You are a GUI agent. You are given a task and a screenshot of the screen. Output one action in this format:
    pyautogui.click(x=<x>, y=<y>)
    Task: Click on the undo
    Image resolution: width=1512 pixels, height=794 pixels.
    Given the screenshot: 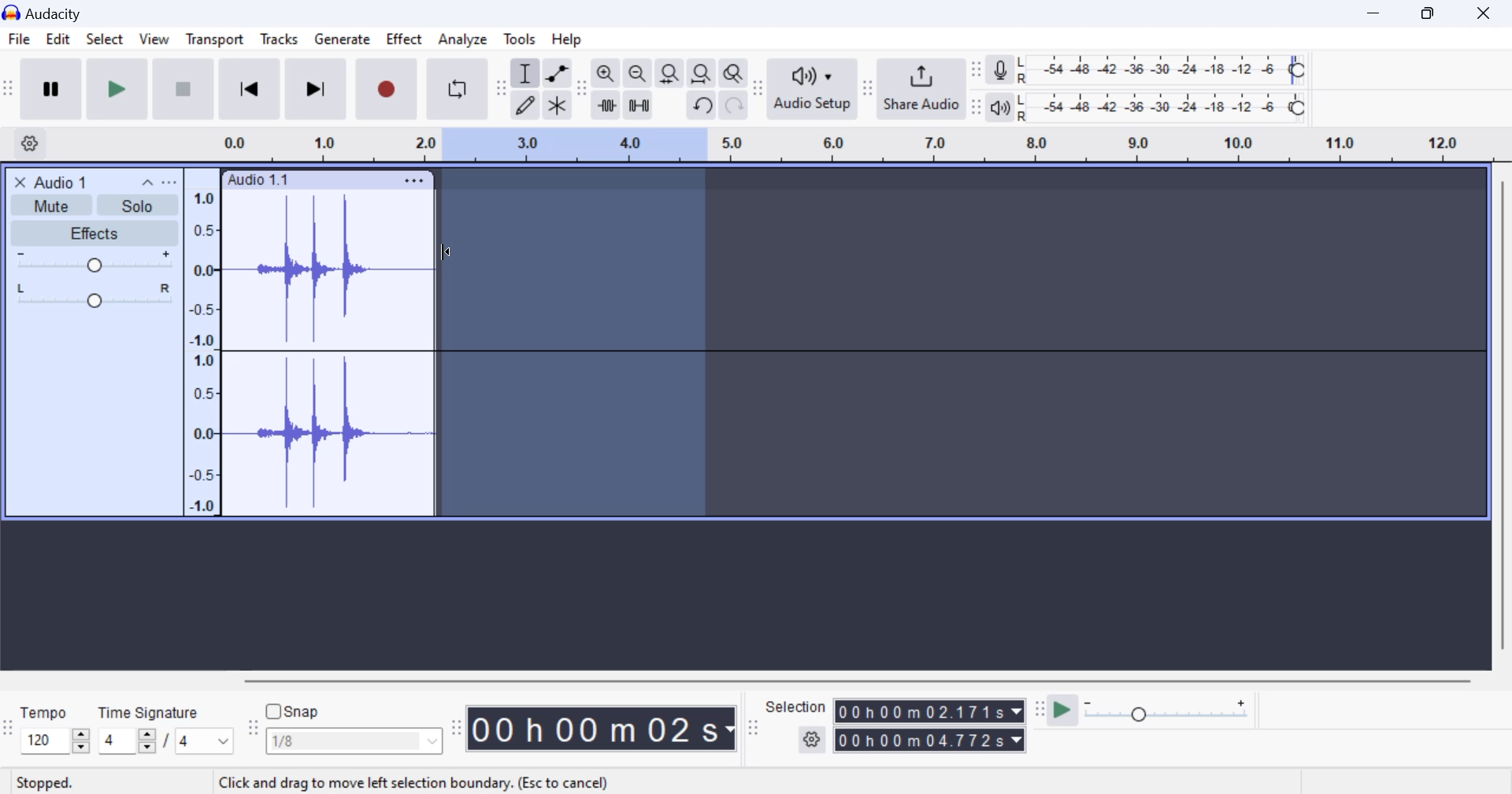 What is the action you would take?
    pyautogui.click(x=703, y=106)
    